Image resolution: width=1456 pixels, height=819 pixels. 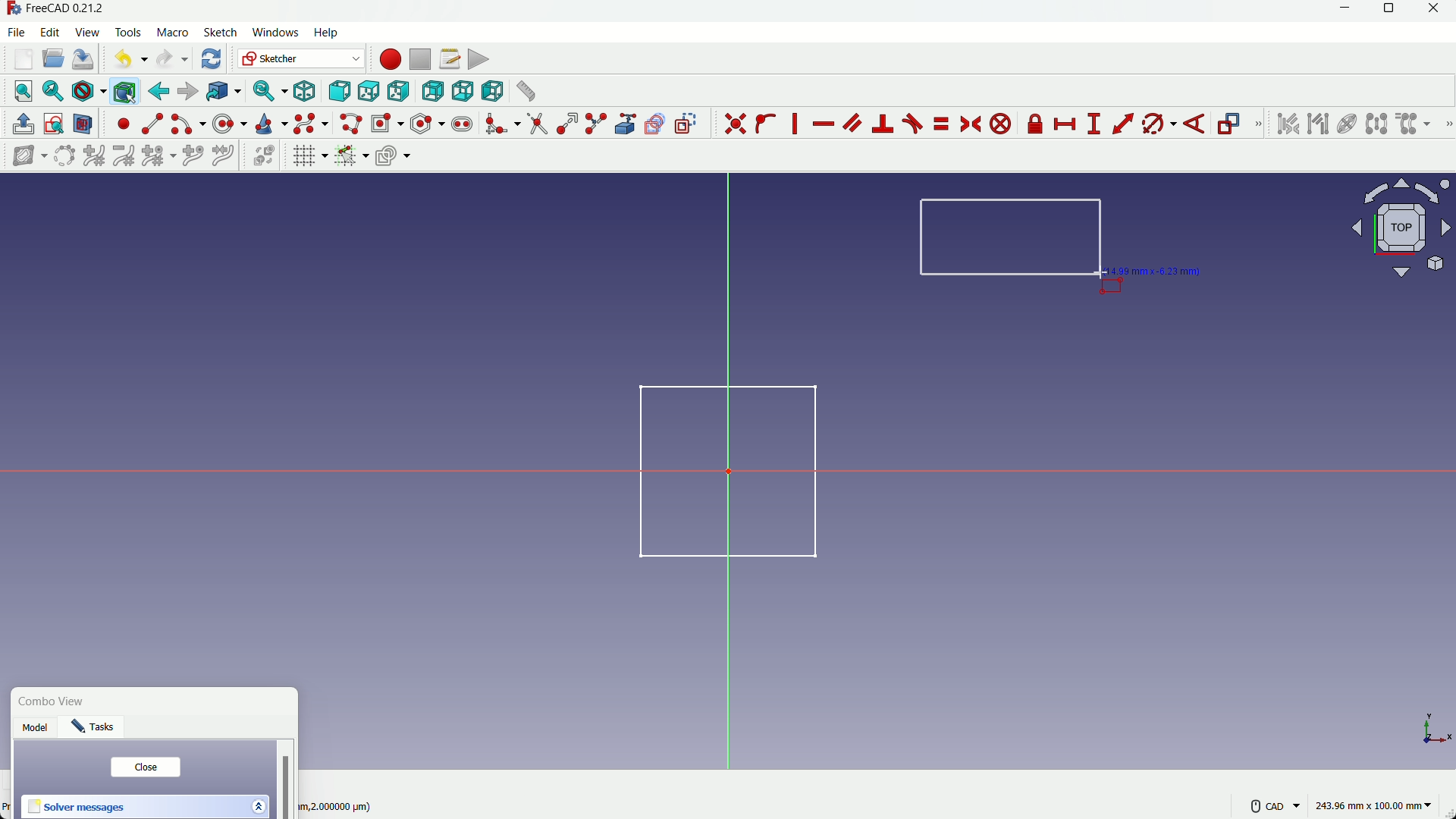 What do you see at coordinates (37, 730) in the screenshot?
I see `model` at bounding box center [37, 730].